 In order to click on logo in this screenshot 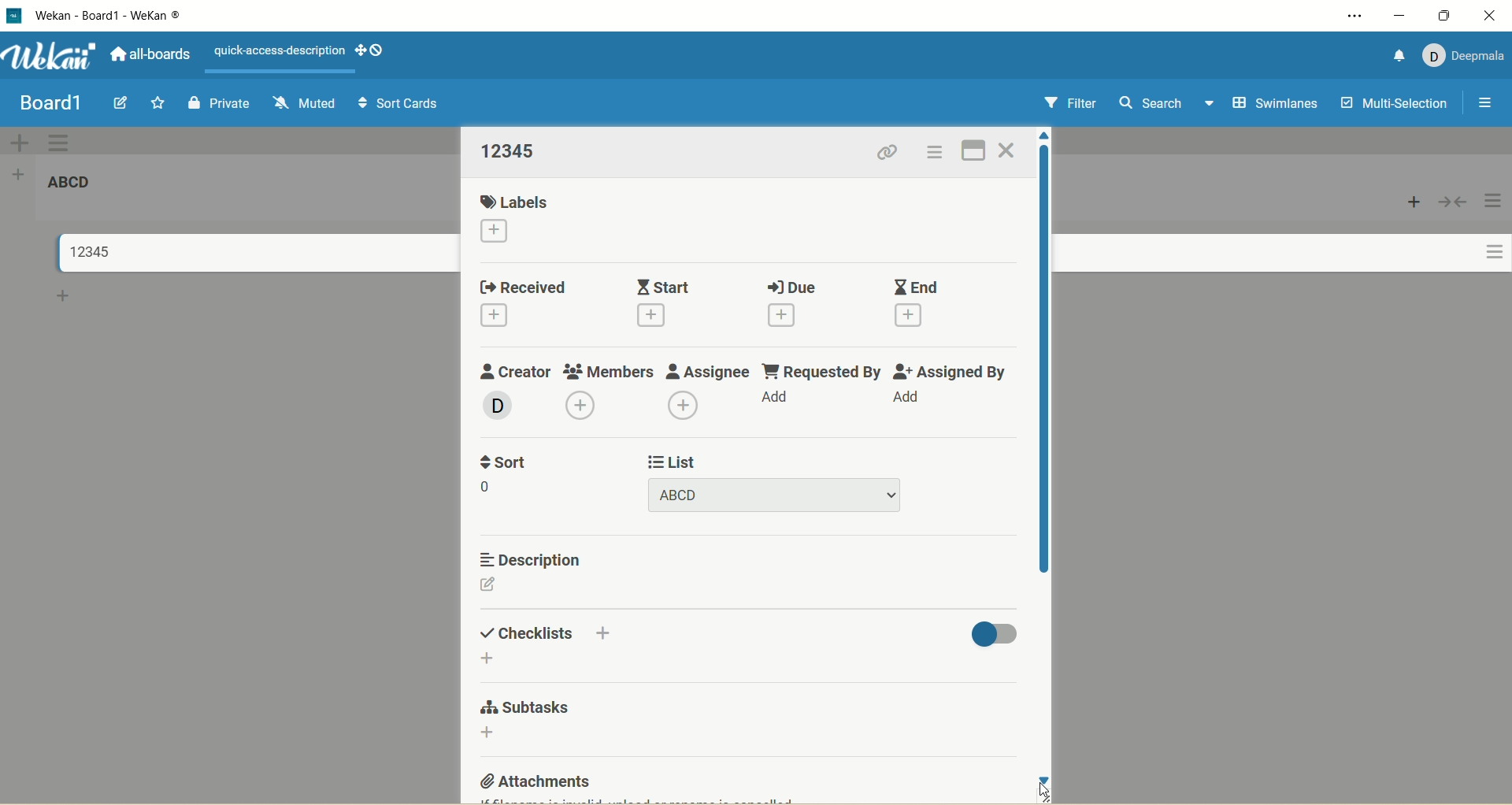, I will do `click(13, 17)`.